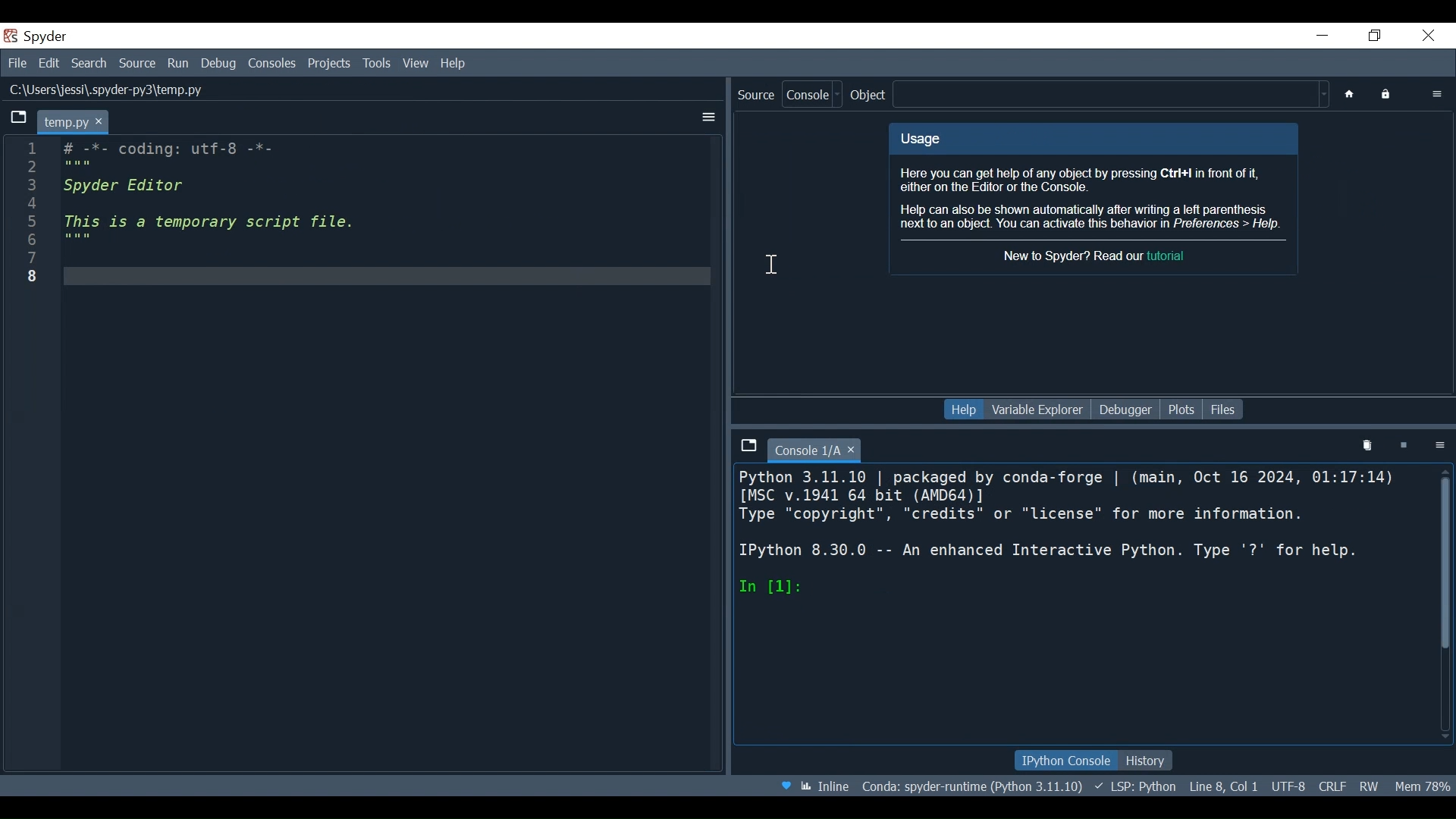 The image size is (1456, 819). I want to click on Browse Tabs, so click(20, 118).